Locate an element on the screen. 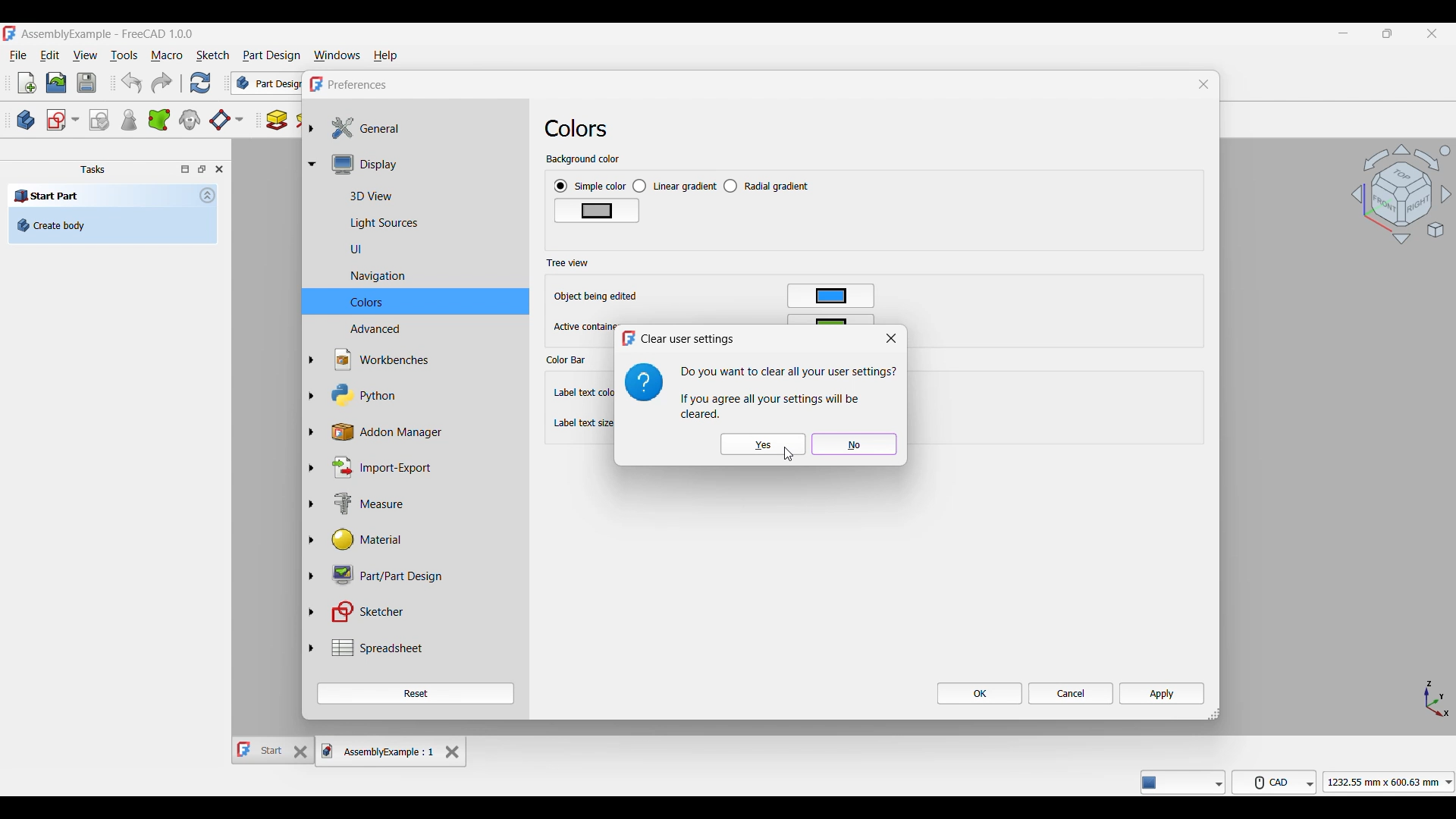 This screenshot has width=1456, height=819. Advanced is located at coordinates (356, 329).